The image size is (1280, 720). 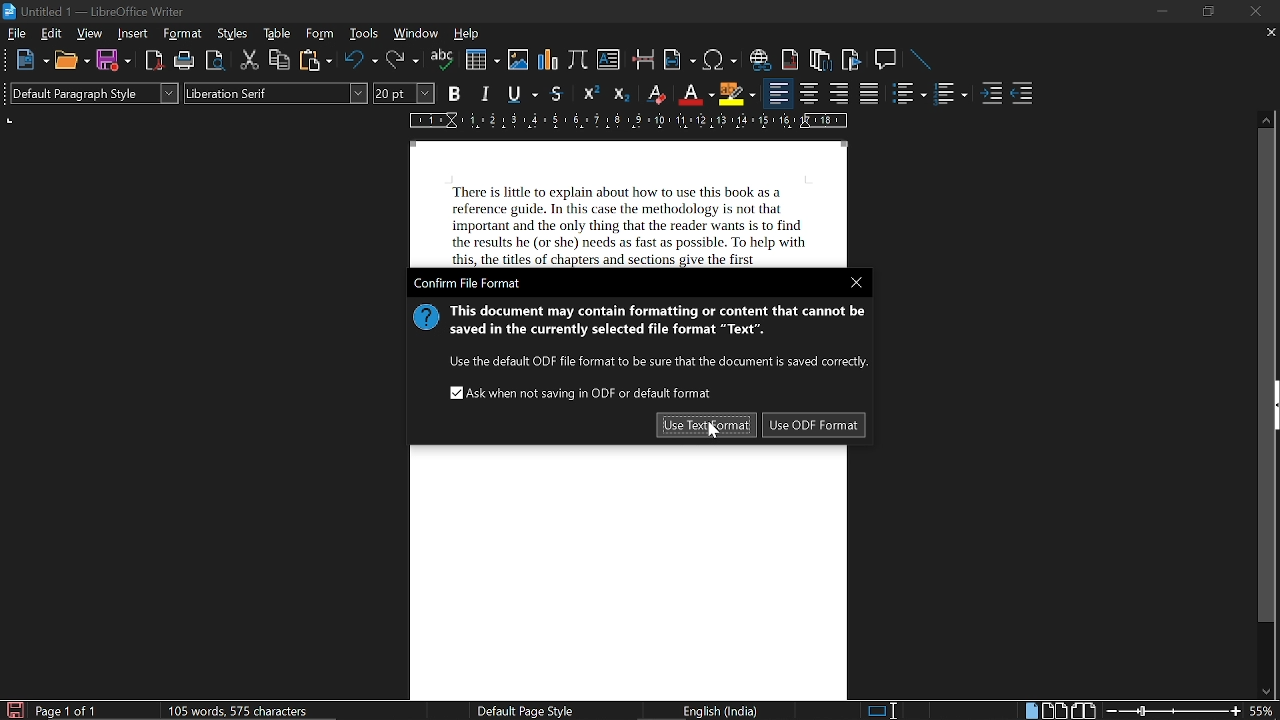 I want to click on change zoom, so click(x=1174, y=712).